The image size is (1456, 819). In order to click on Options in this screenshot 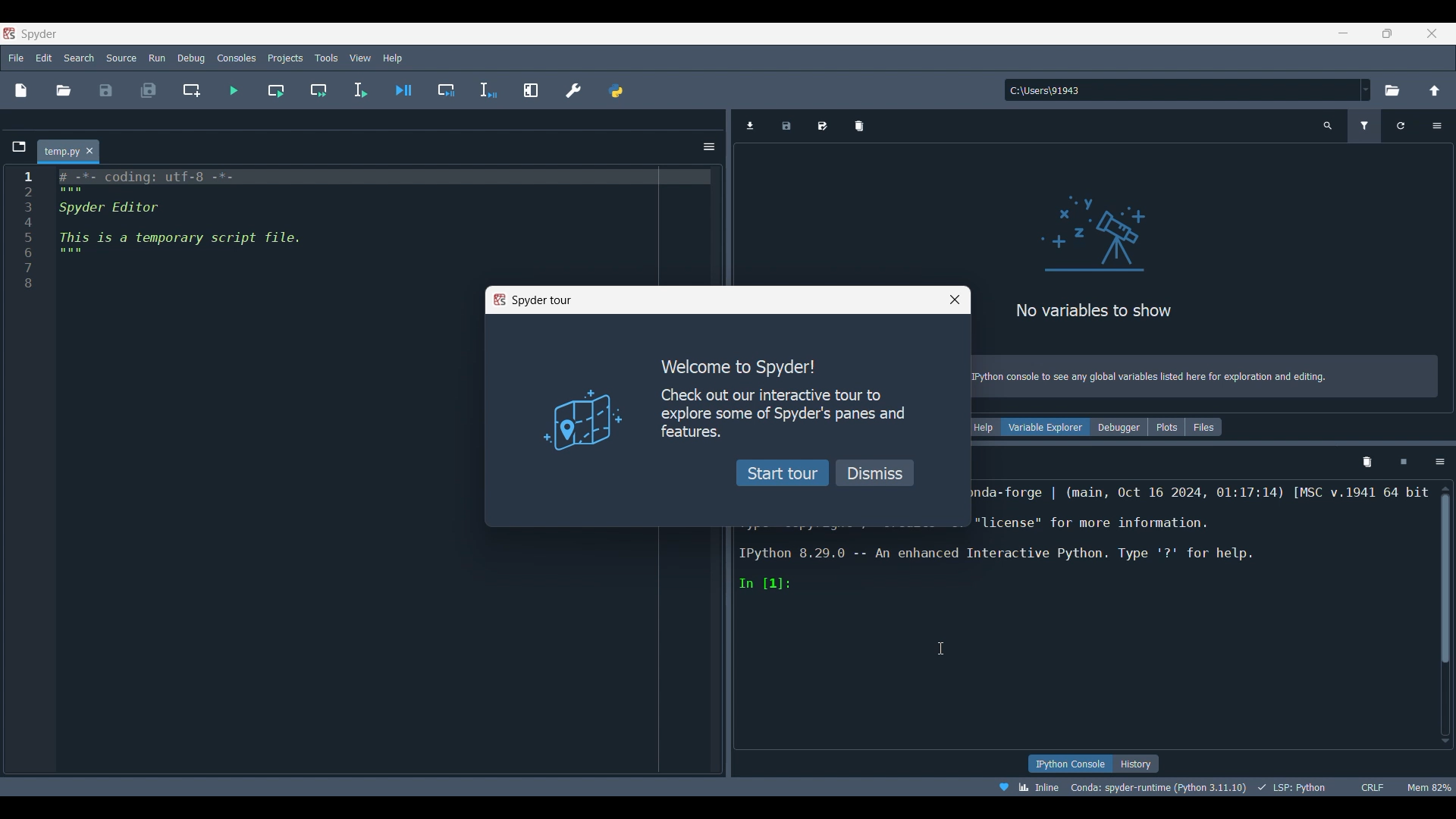, I will do `click(709, 147)`.